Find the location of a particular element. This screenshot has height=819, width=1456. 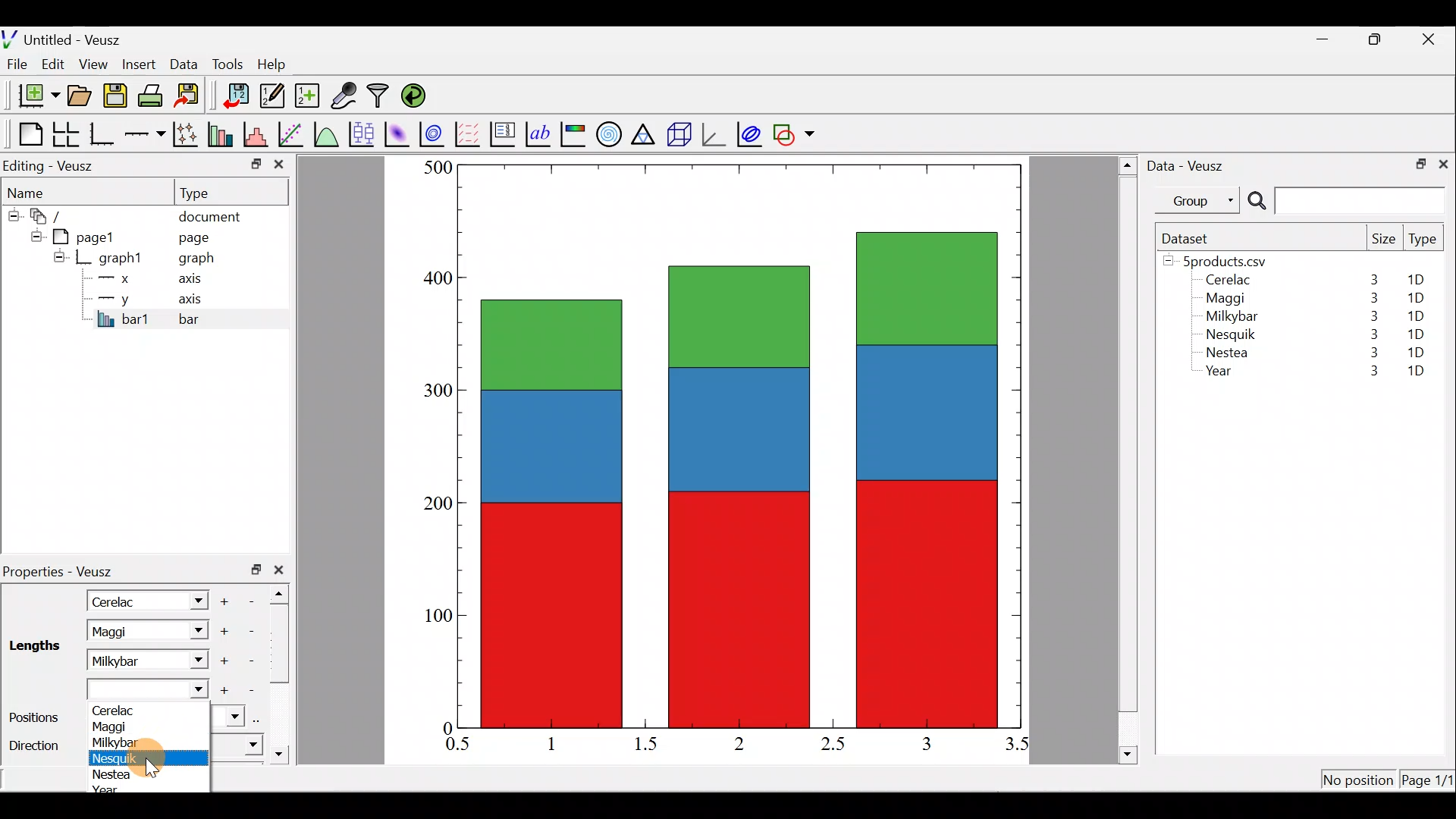

Tools is located at coordinates (227, 63).